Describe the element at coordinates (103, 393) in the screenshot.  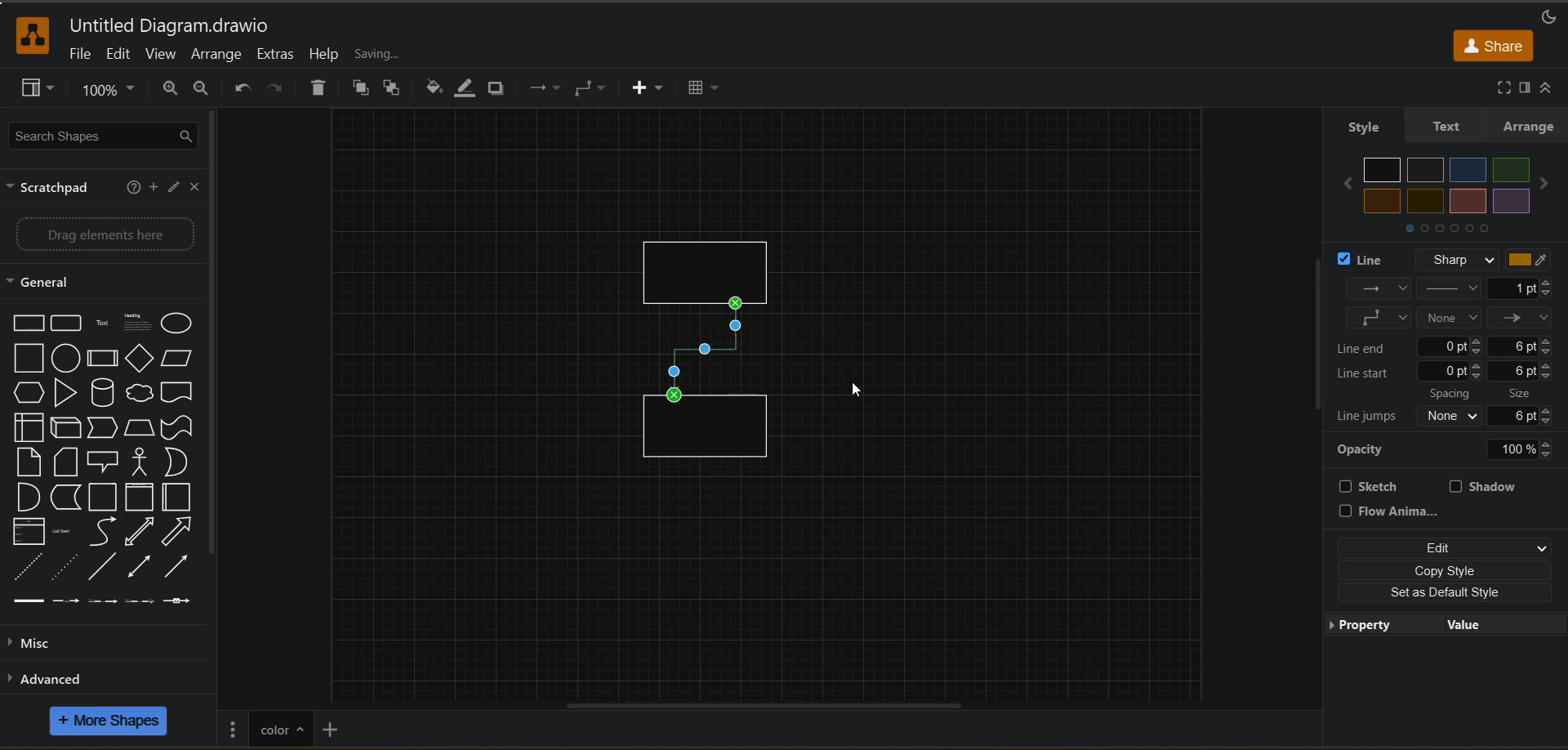
I see `Cylinder` at that location.